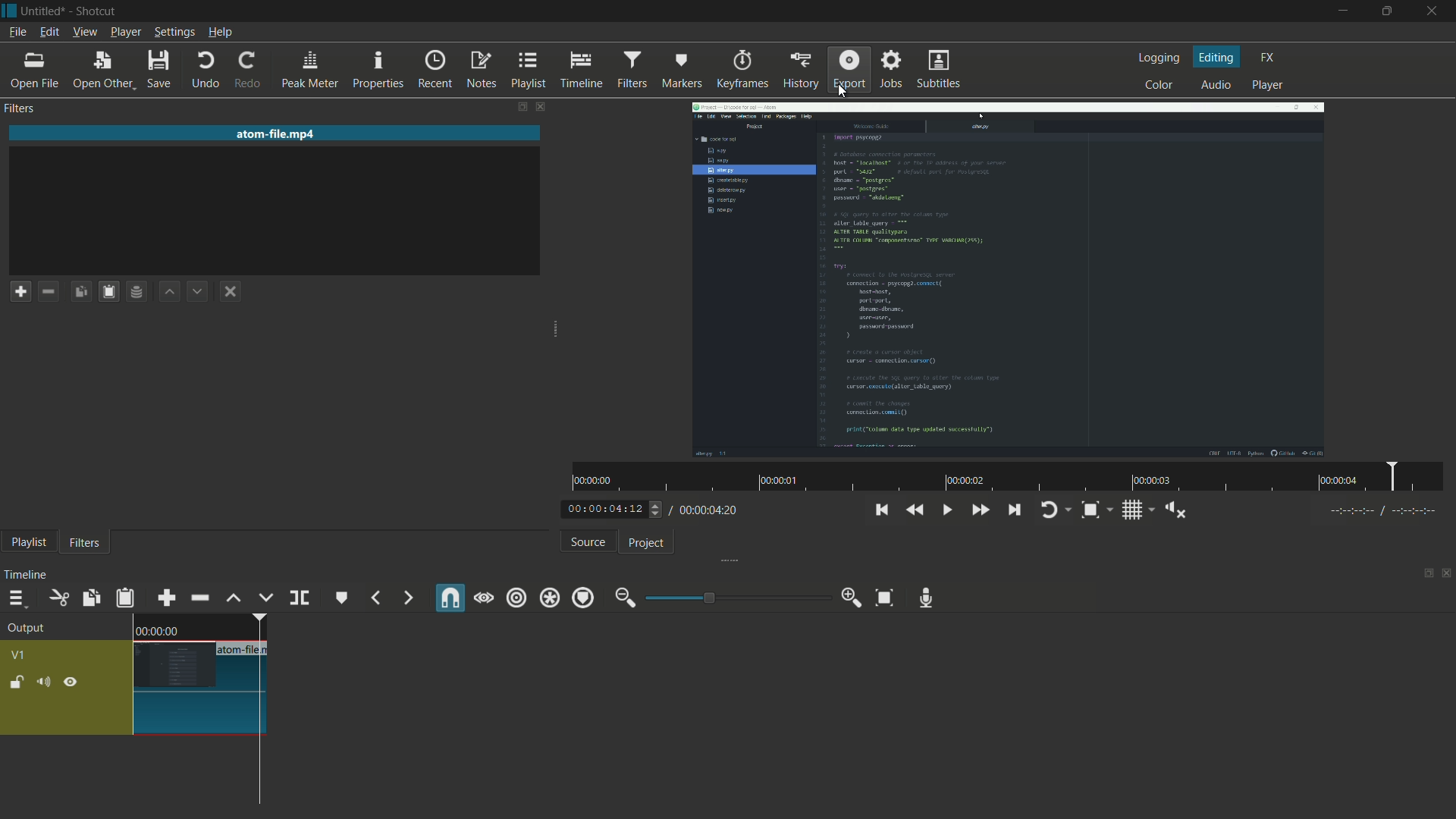 The height and width of the screenshot is (819, 1456). What do you see at coordinates (42, 683) in the screenshot?
I see `mute` at bounding box center [42, 683].